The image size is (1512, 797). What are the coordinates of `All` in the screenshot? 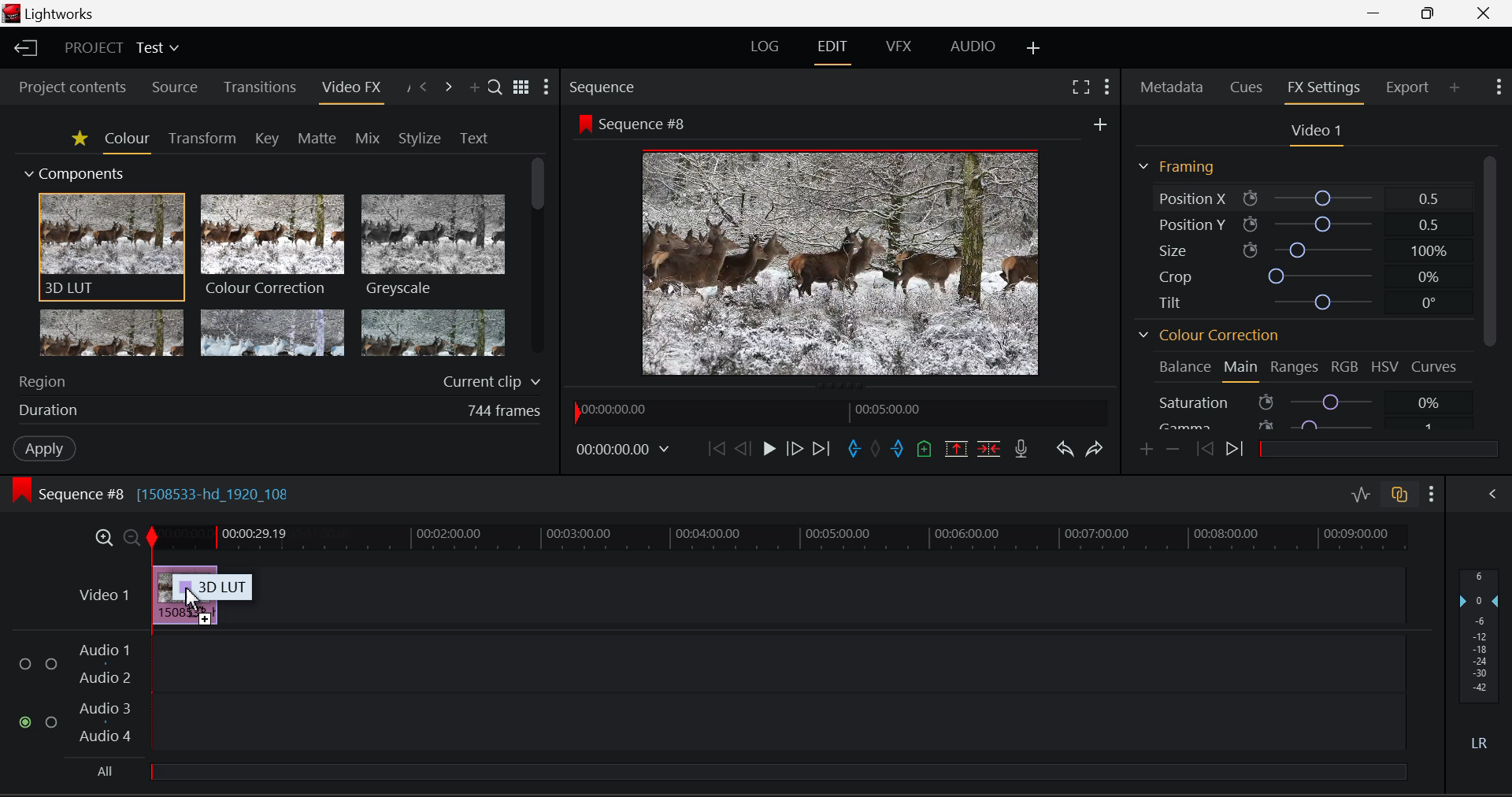 It's located at (750, 770).